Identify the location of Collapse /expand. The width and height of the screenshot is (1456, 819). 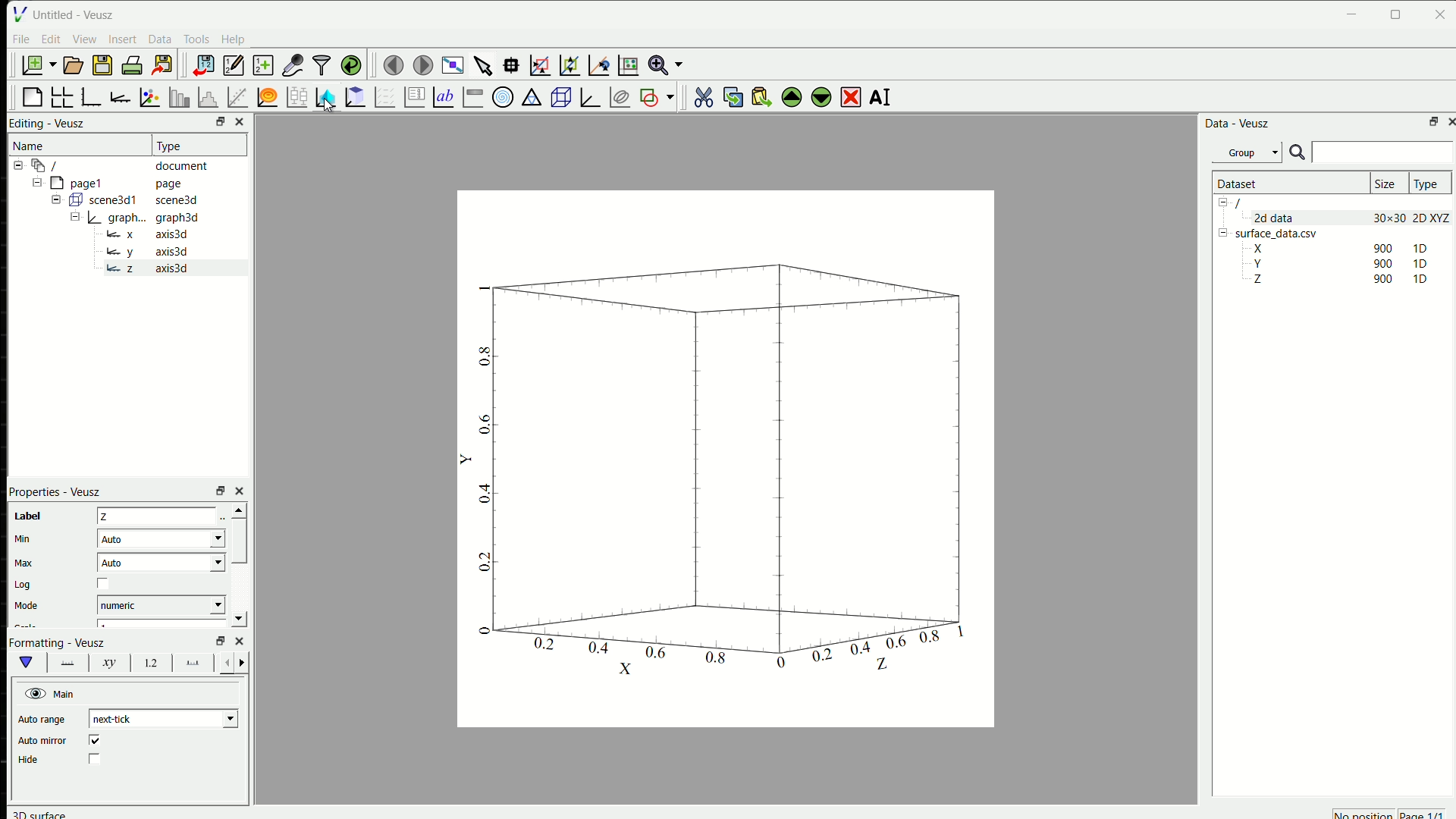
(76, 216).